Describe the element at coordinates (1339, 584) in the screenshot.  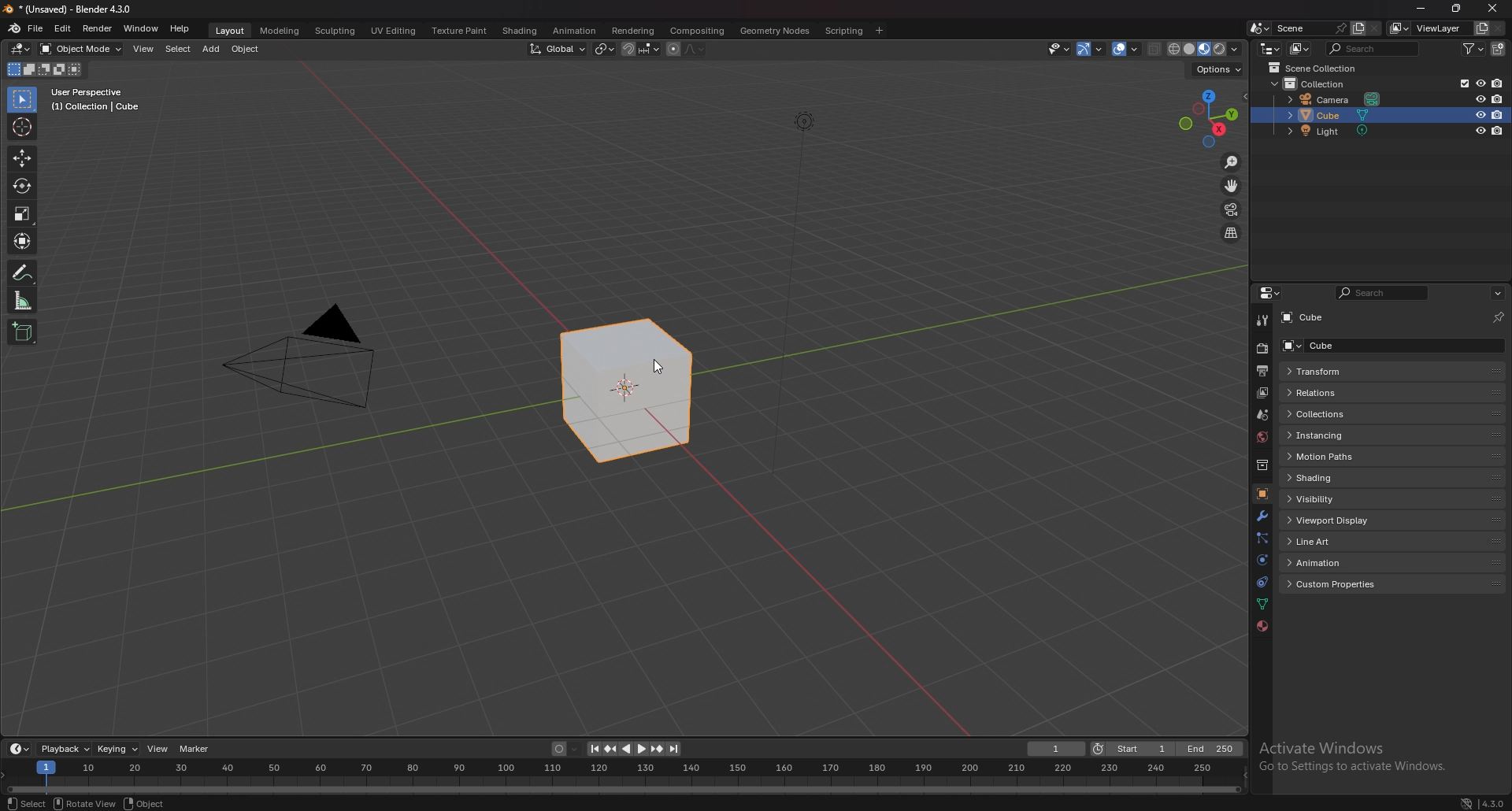
I see `custom properties` at that location.